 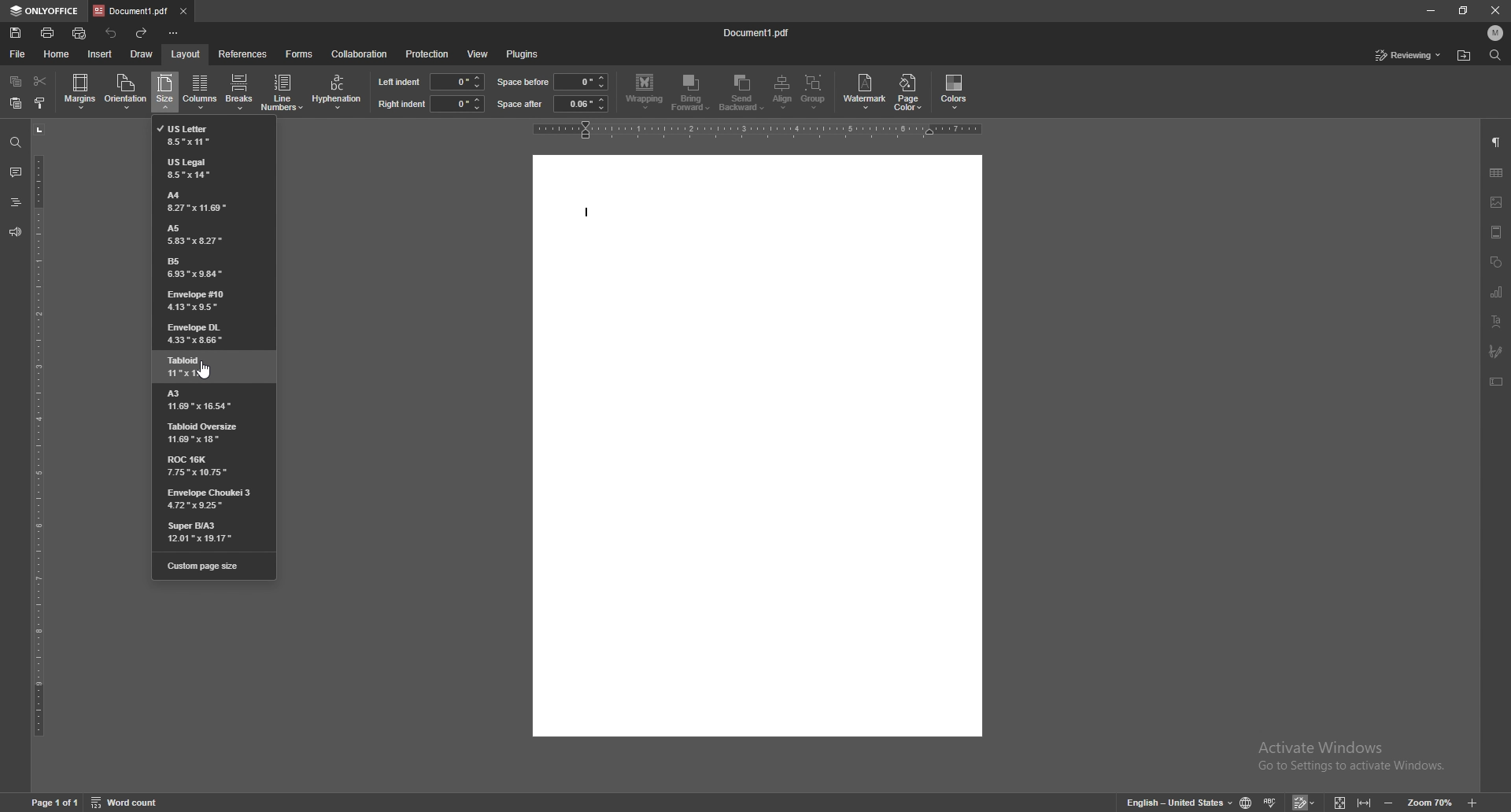 I want to click on quick print, so click(x=80, y=33).